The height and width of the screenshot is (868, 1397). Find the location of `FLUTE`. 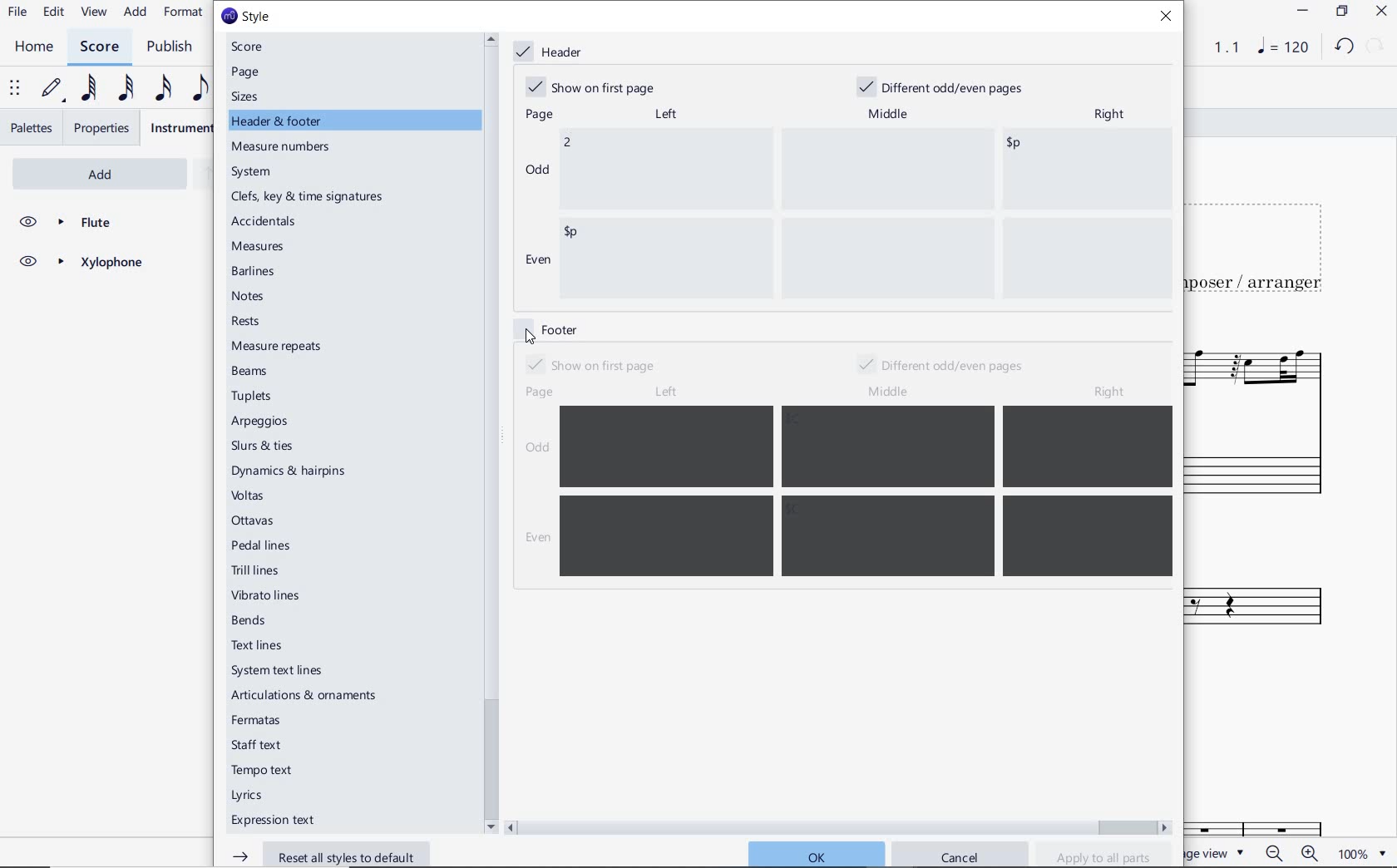

FLUTE is located at coordinates (1263, 409).